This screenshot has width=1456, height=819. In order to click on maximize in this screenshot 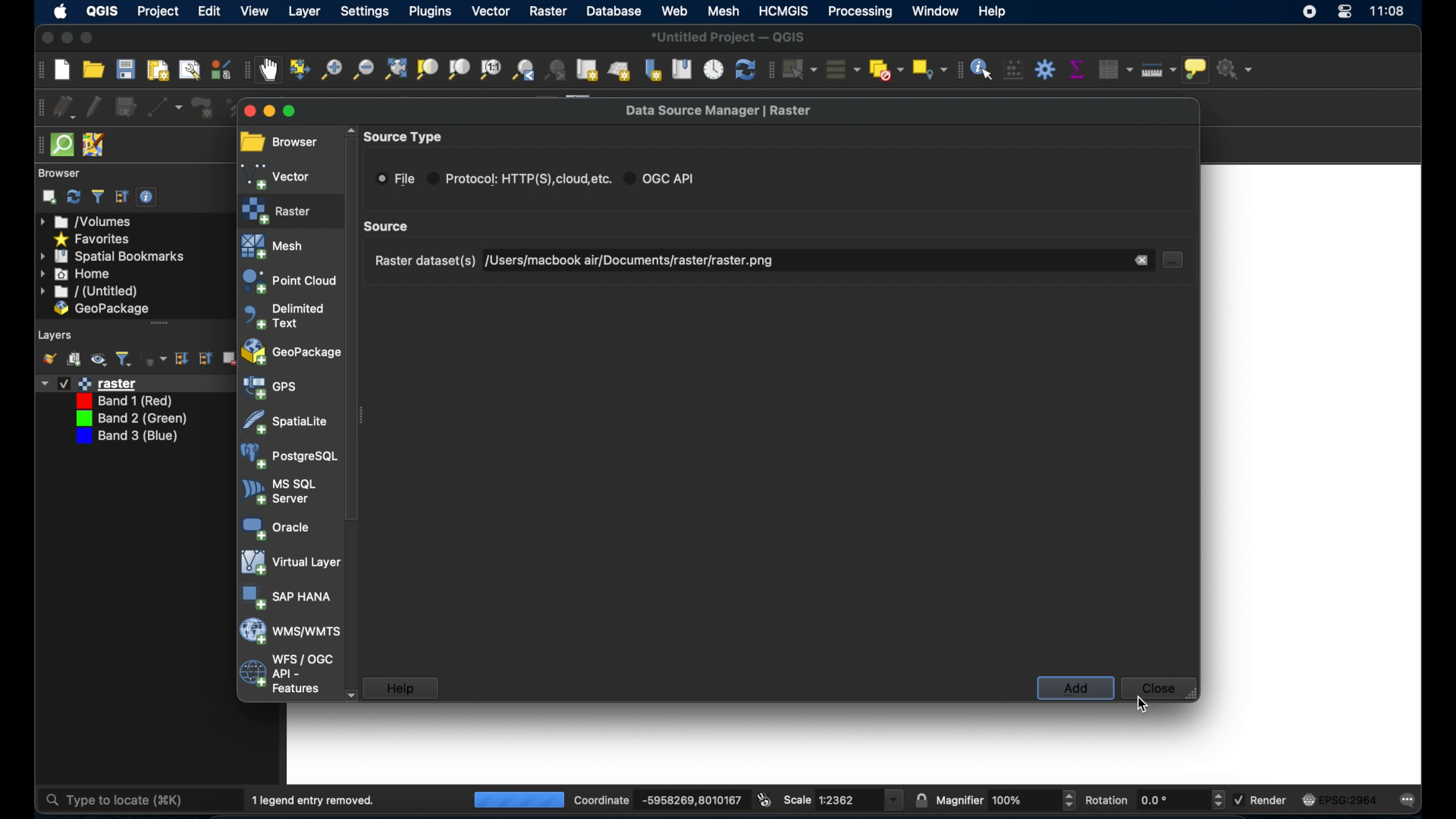, I will do `click(290, 111)`.